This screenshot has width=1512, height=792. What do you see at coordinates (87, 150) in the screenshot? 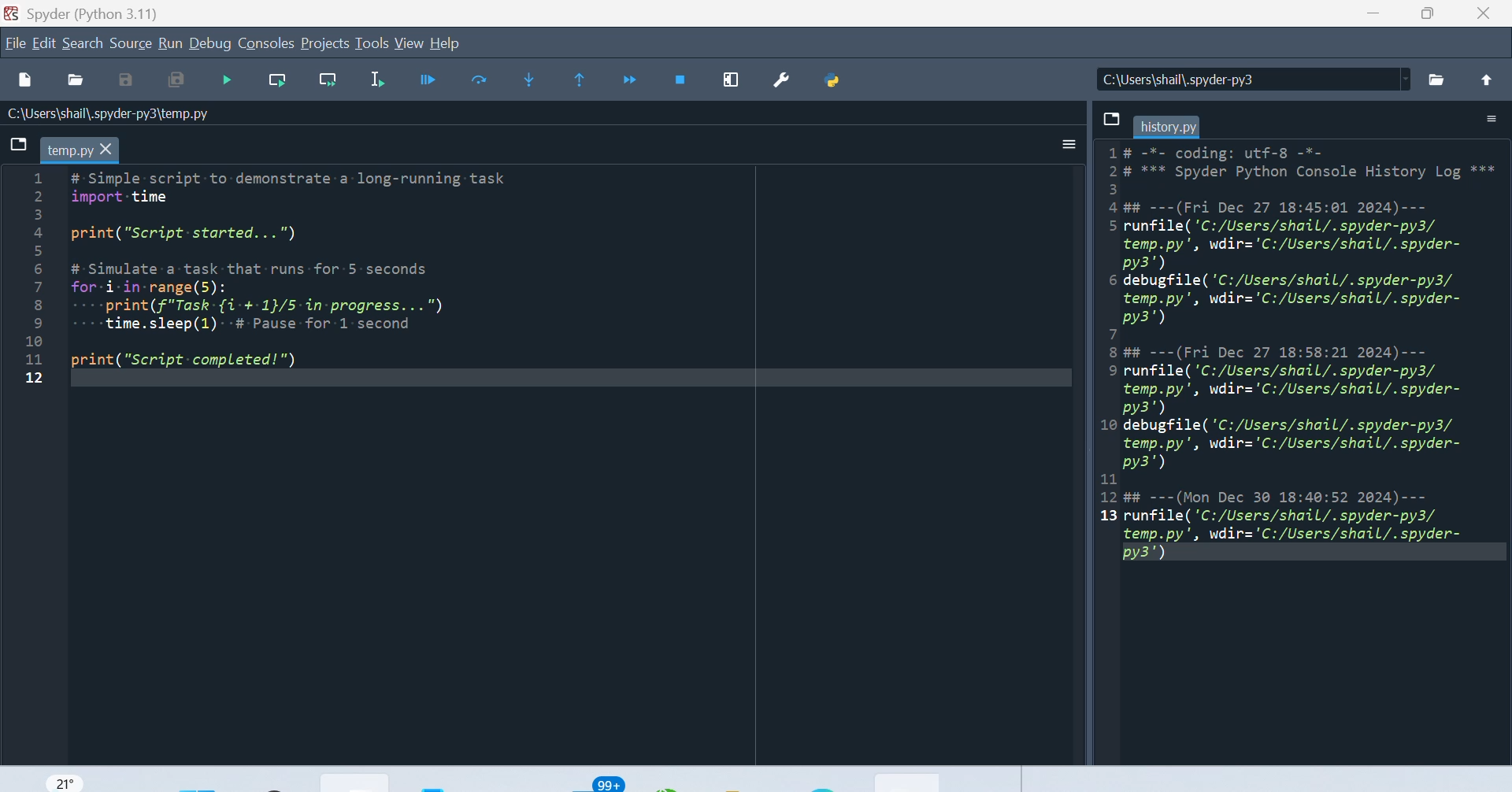
I see `temp.py ` at bounding box center [87, 150].